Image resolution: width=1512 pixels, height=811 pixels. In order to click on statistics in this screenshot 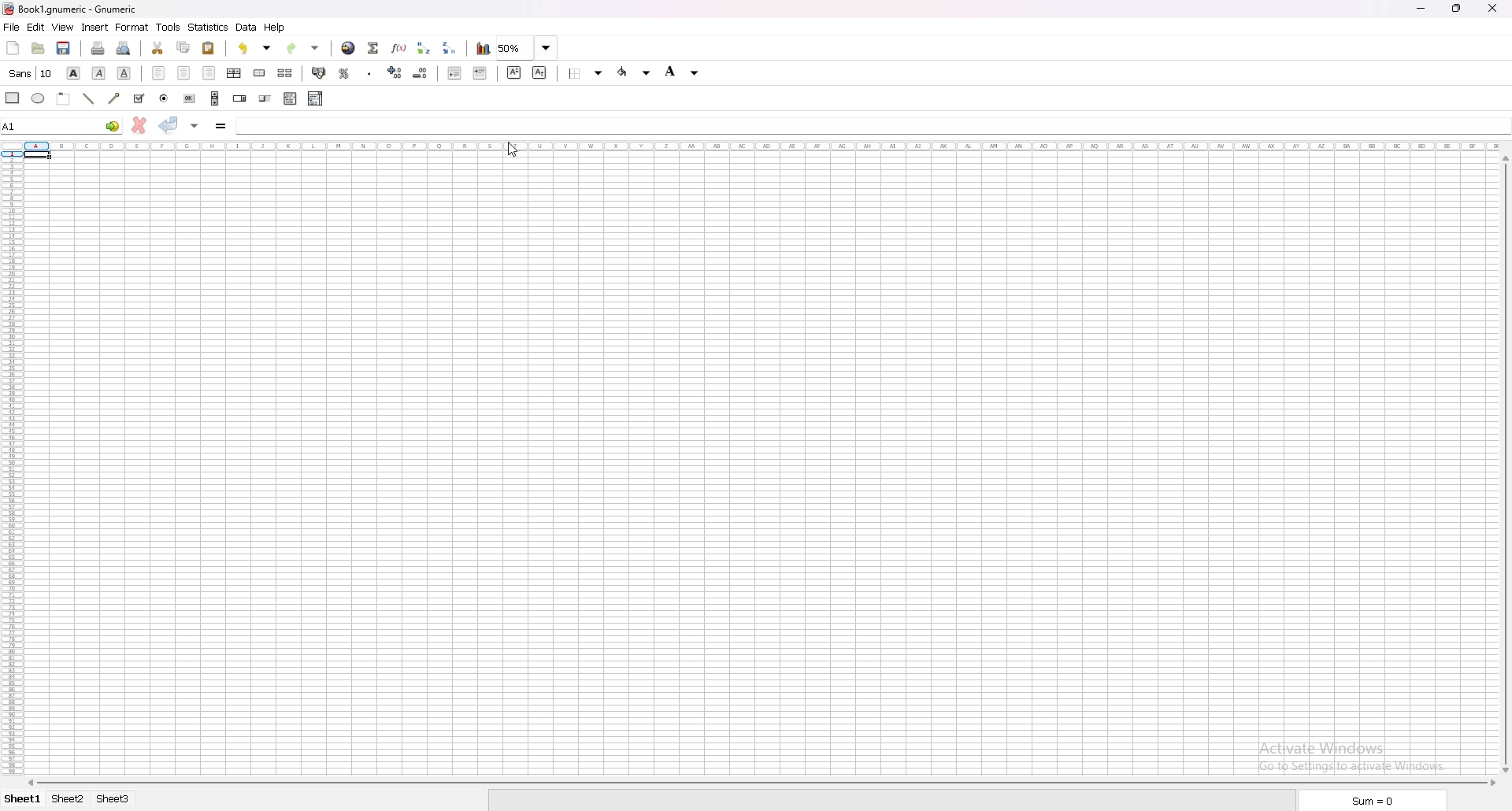, I will do `click(209, 27)`.